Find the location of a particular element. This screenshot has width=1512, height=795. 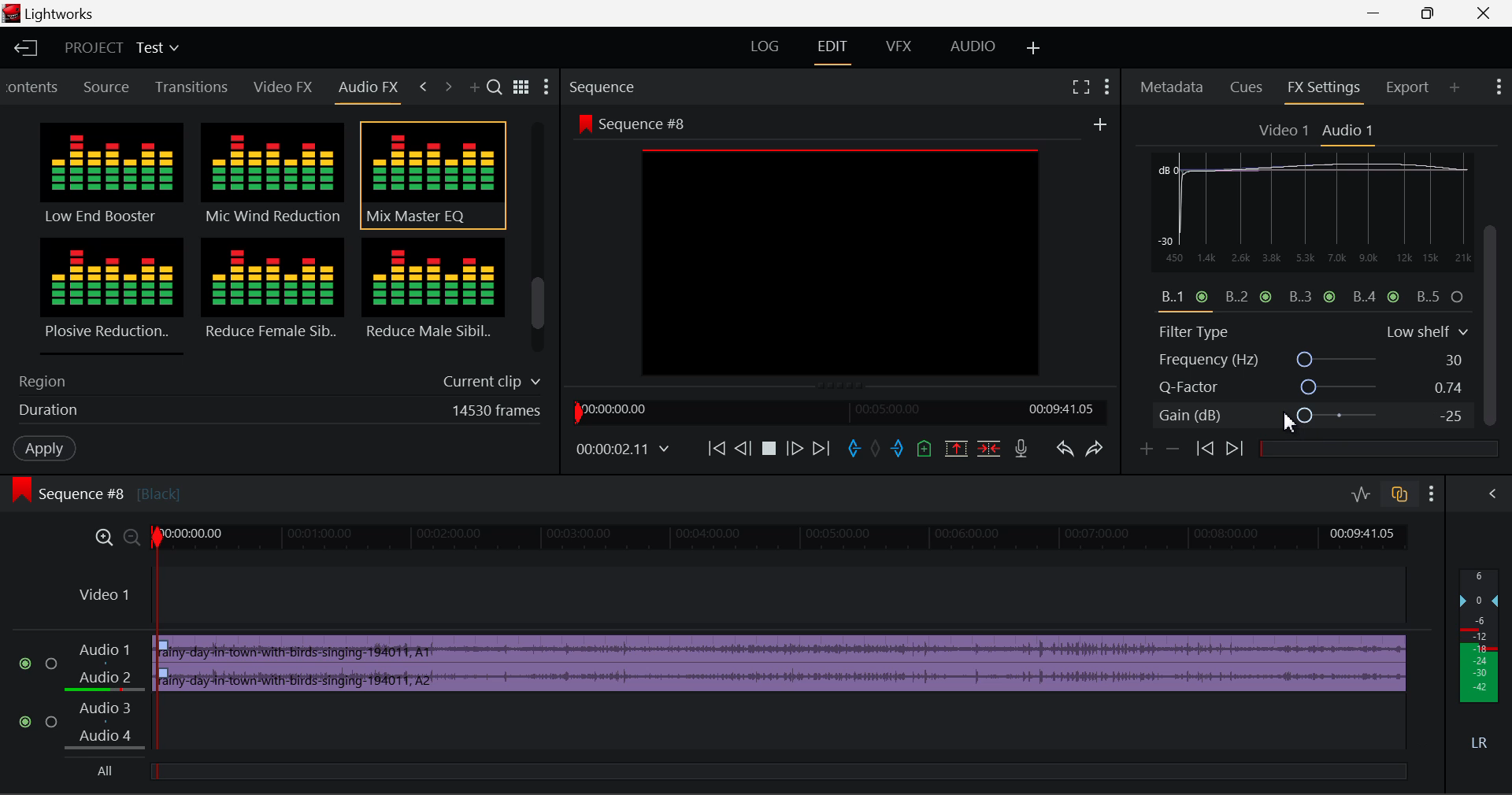

Duration is located at coordinates (275, 413).